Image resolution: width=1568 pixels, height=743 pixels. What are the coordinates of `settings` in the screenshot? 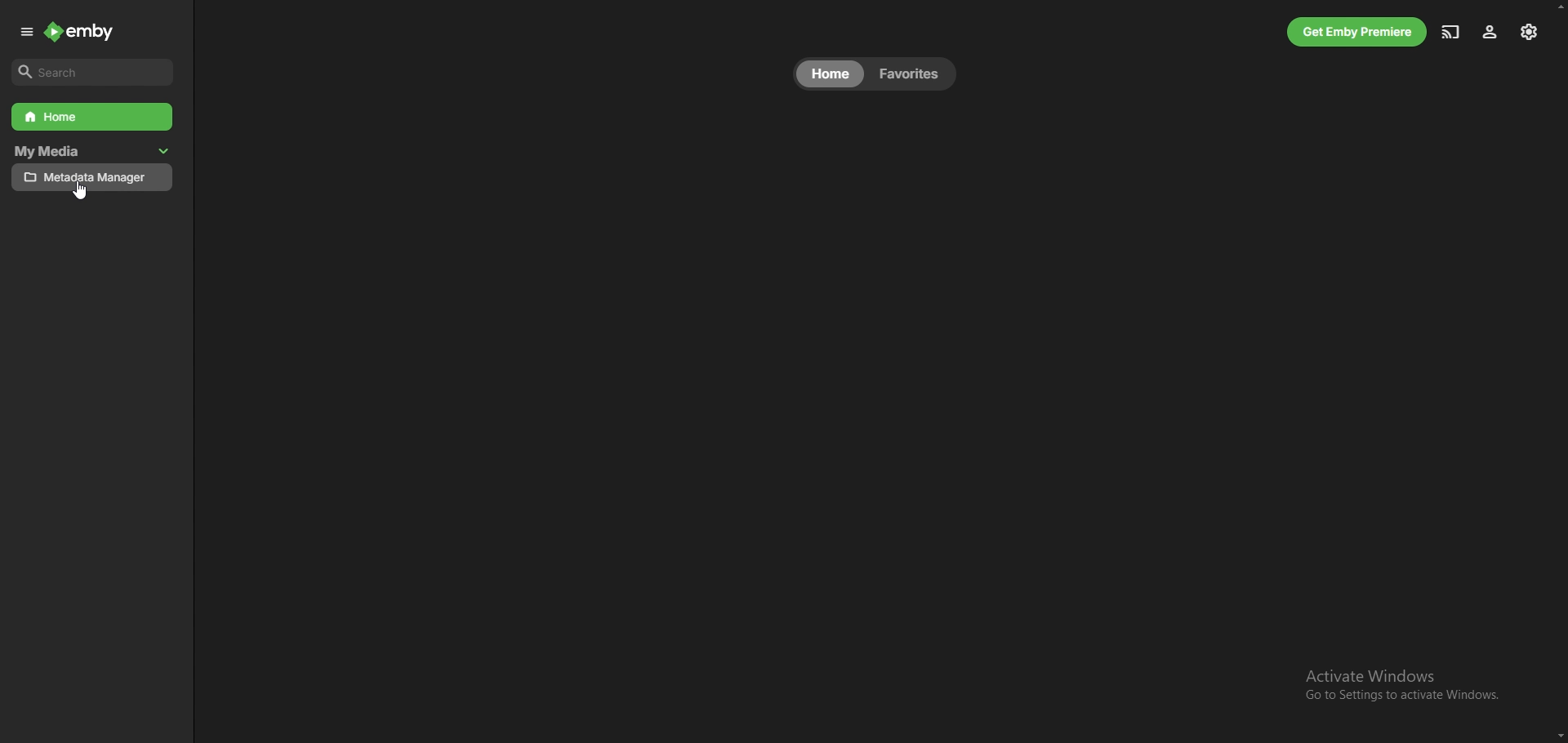 It's located at (1530, 32).